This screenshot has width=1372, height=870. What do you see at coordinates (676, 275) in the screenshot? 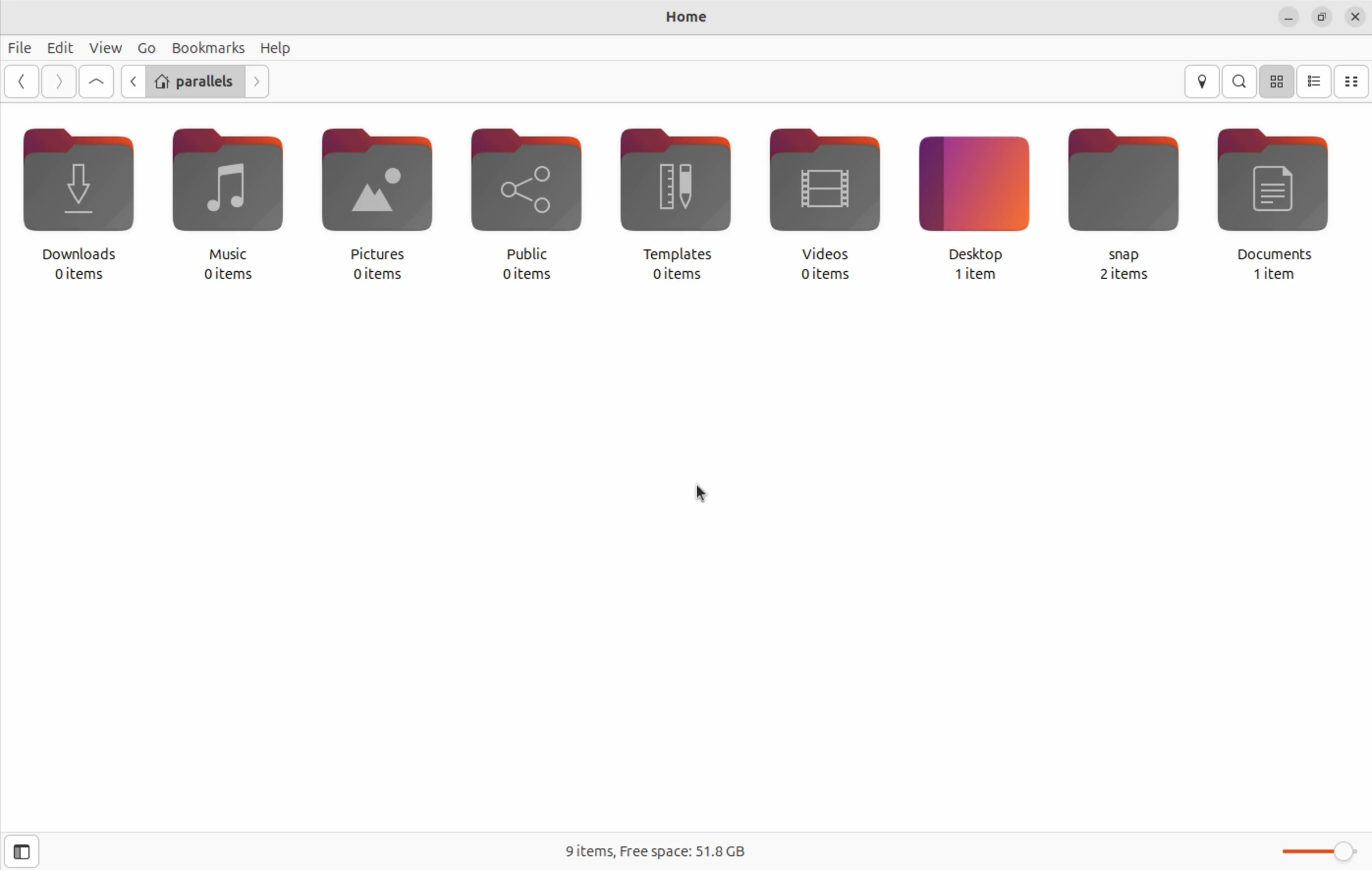
I see `0 items` at bounding box center [676, 275].